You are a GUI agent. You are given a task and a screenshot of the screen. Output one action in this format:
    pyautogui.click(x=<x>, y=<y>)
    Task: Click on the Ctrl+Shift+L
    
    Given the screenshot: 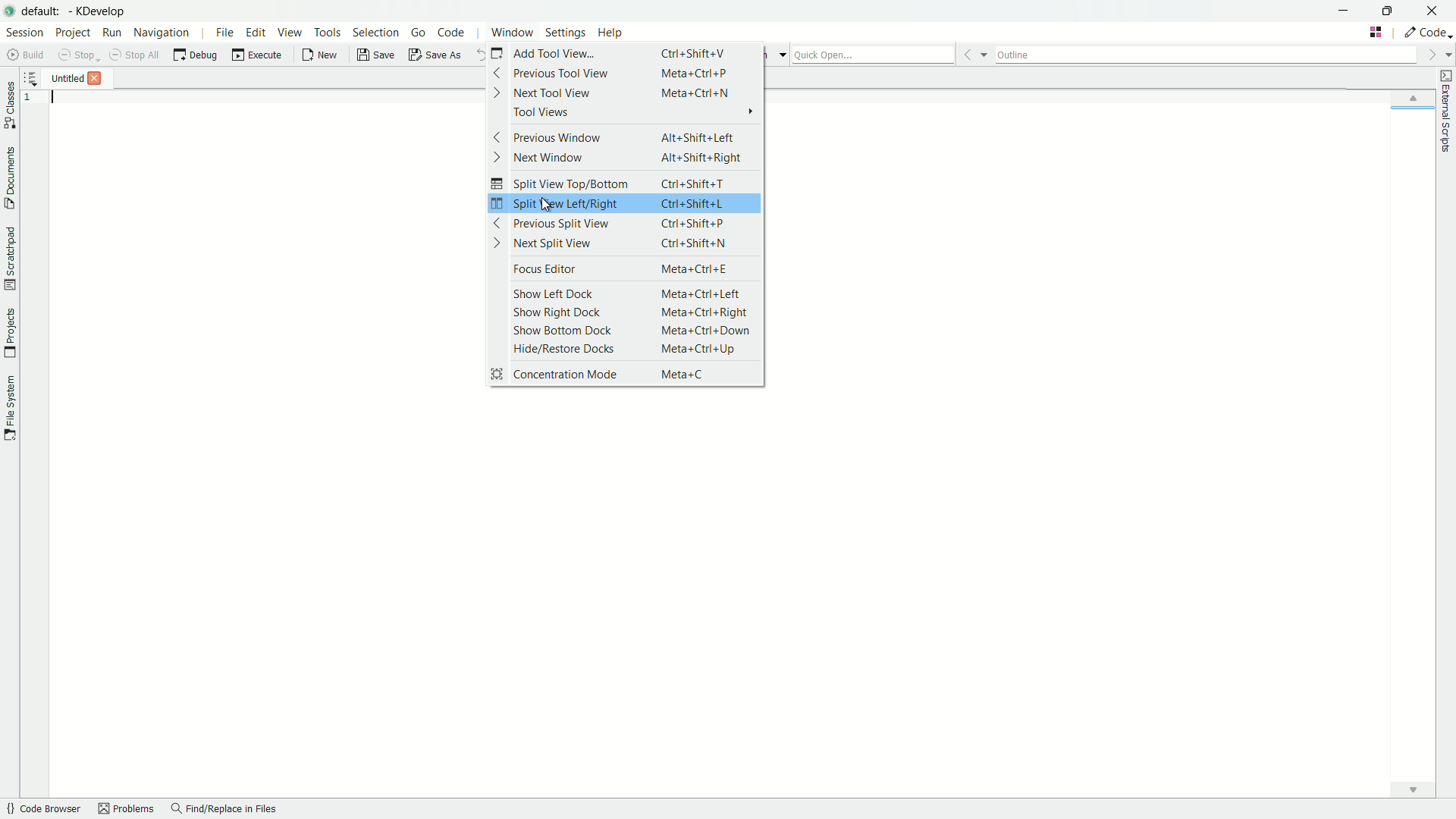 What is the action you would take?
    pyautogui.click(x=701, y=202)
    